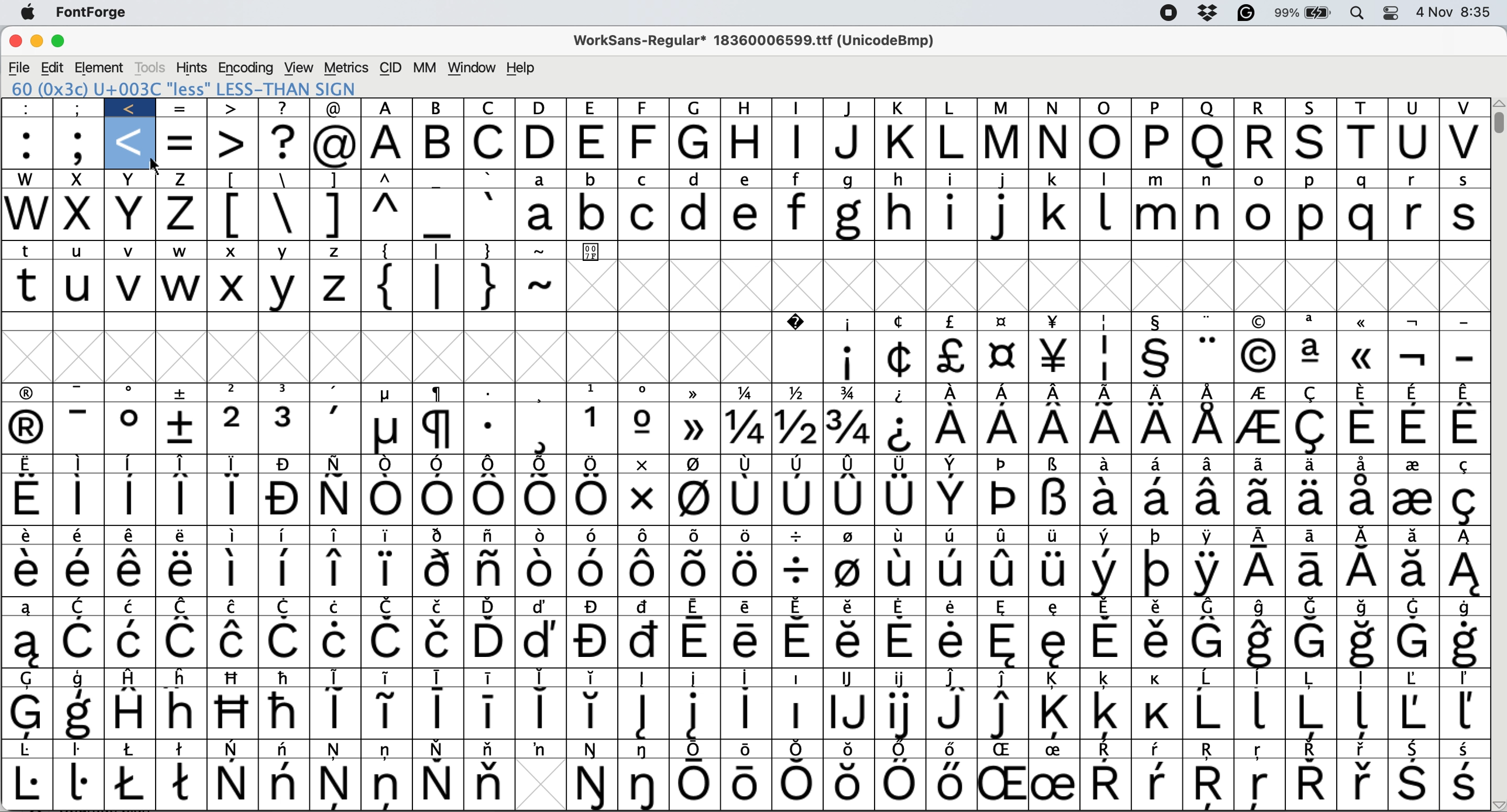 The height and width of the screenshot is (812, 1507). Describe the element at coordinates (901, 537) in the screenshot. I see `Symbol` at that location.